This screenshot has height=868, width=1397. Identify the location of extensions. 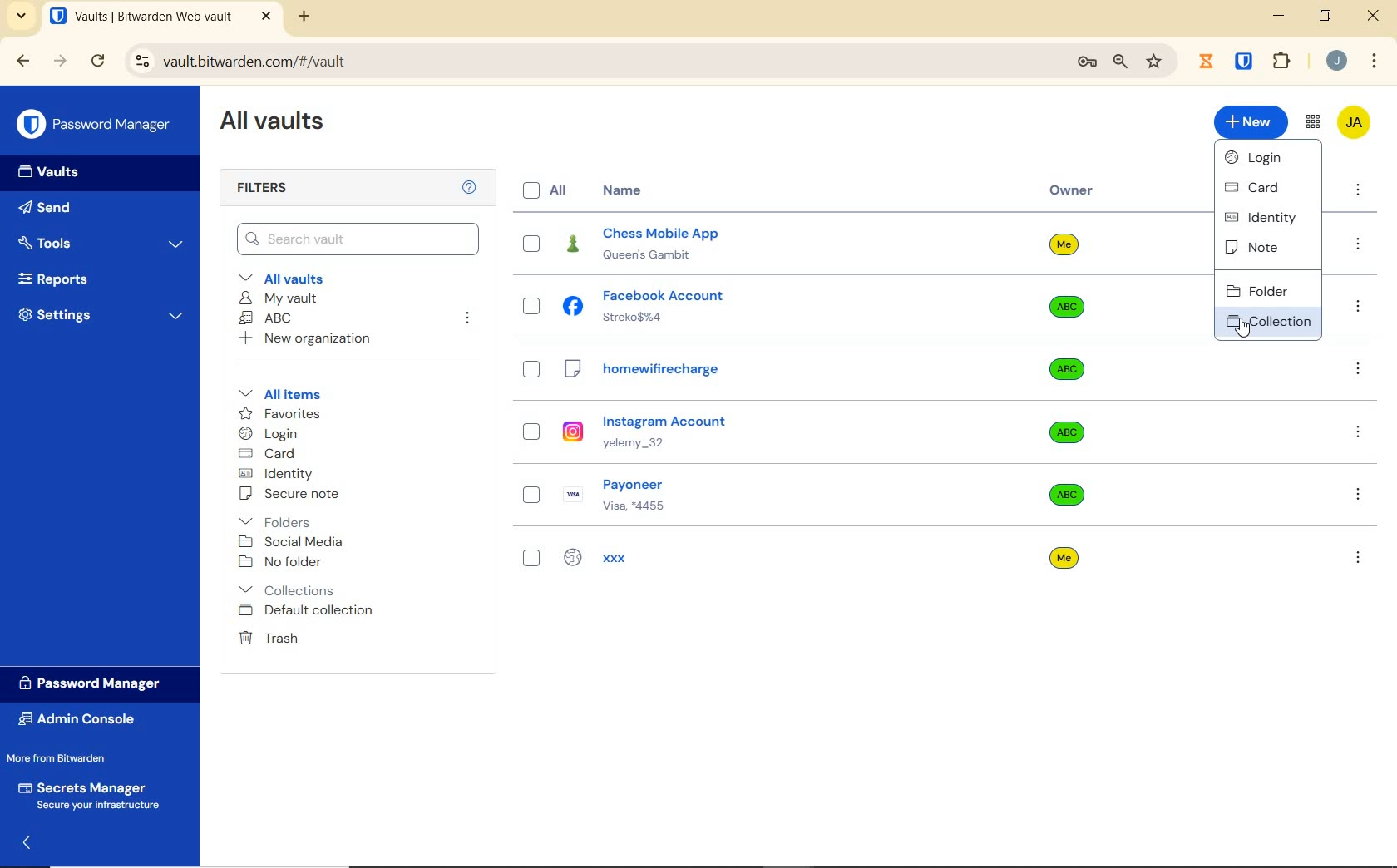
(1283, 61).